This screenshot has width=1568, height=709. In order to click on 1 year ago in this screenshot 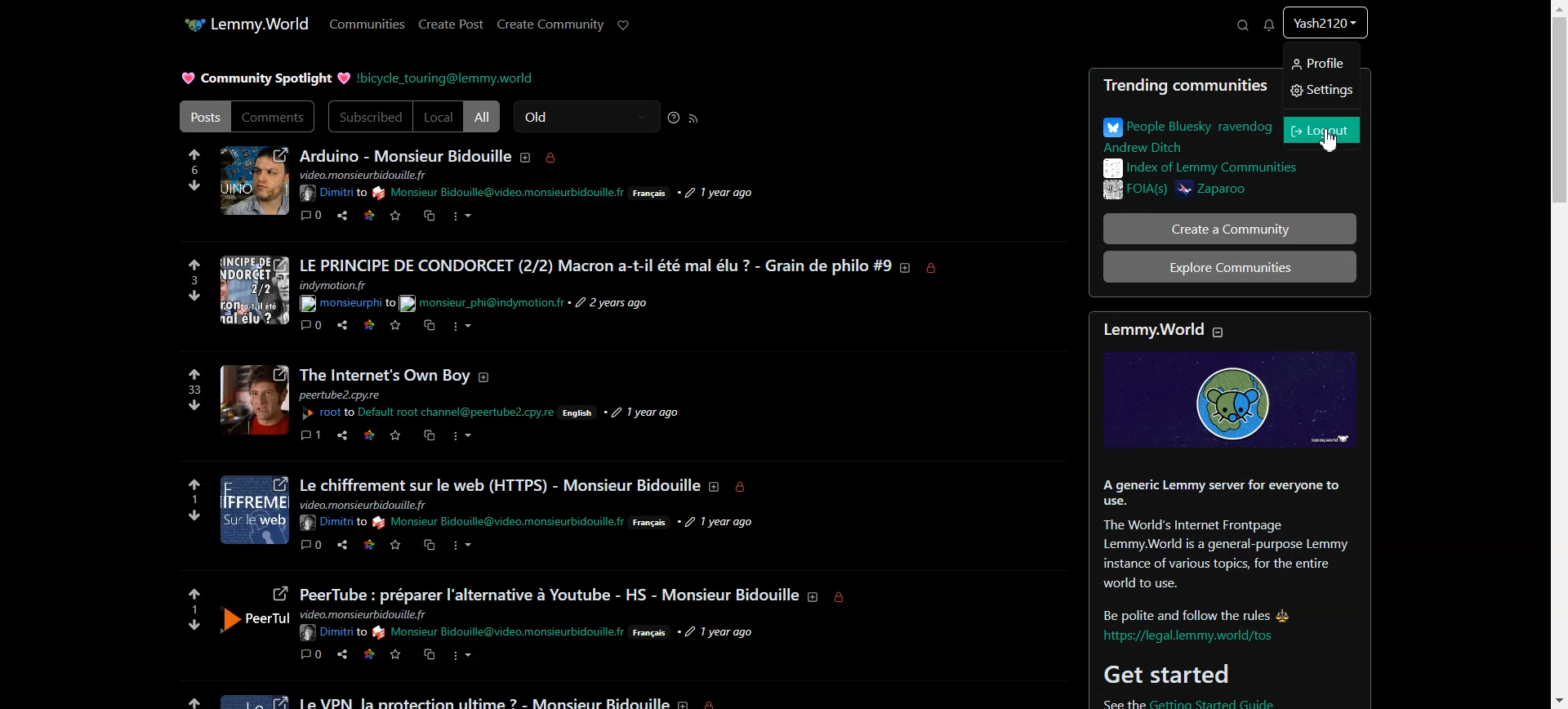, I will do `click(724, 631)`.